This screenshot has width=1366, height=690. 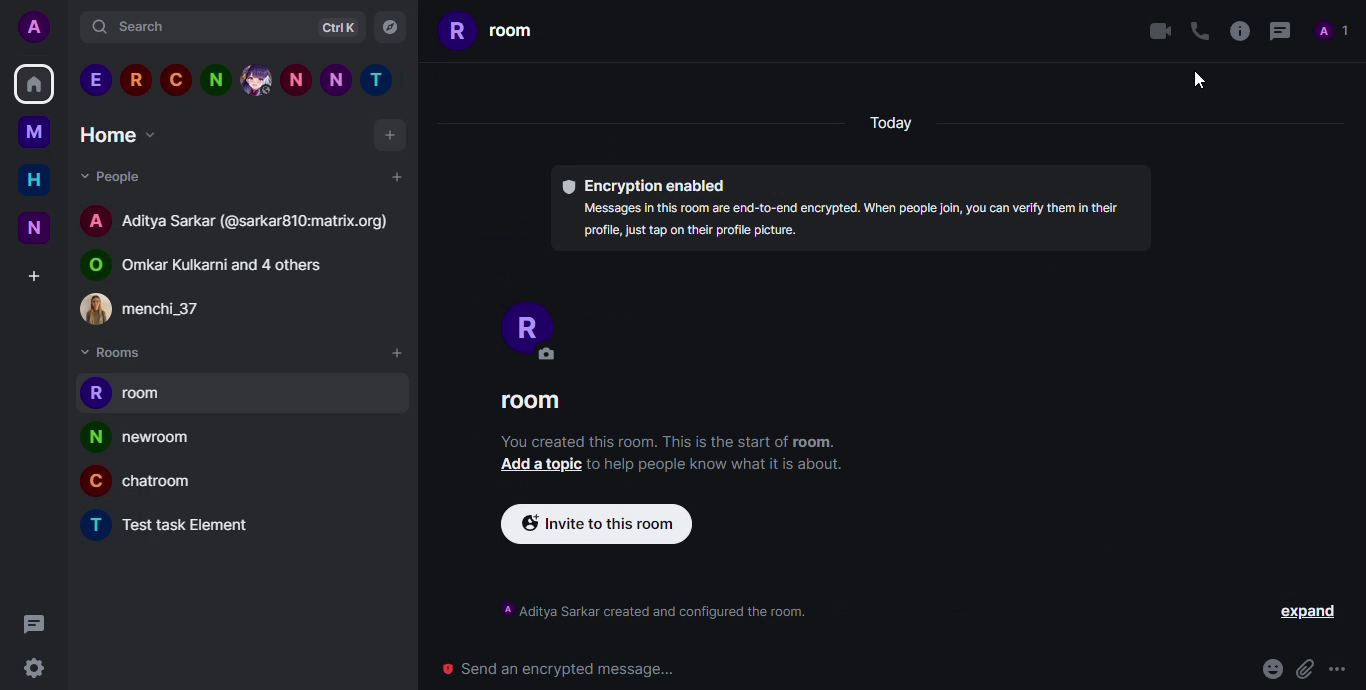 I want to click on profile, so click(x=92, y=484).